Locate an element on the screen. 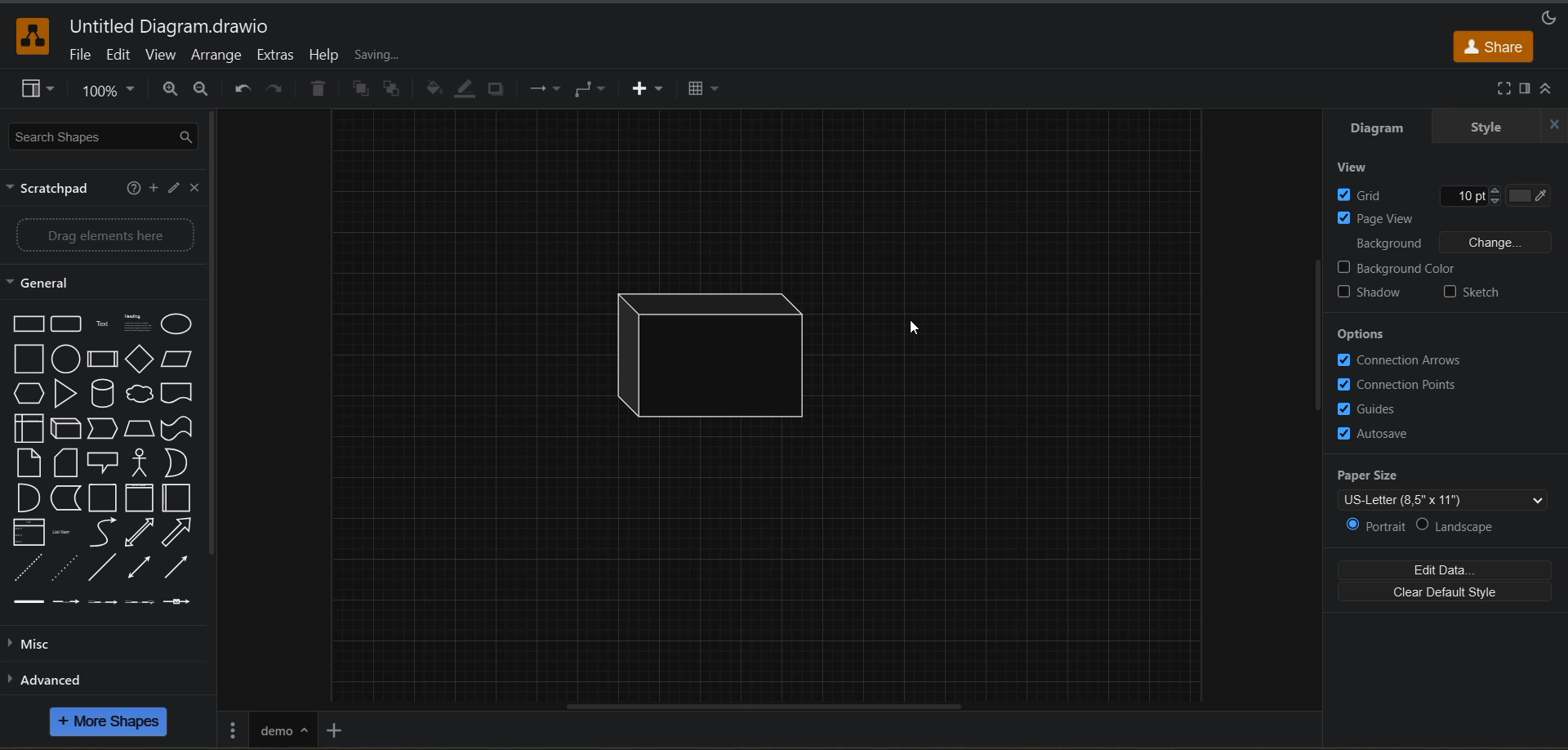 This screenshot has height=750, width=1568. Grid color is located at coordinates (1517, 190).